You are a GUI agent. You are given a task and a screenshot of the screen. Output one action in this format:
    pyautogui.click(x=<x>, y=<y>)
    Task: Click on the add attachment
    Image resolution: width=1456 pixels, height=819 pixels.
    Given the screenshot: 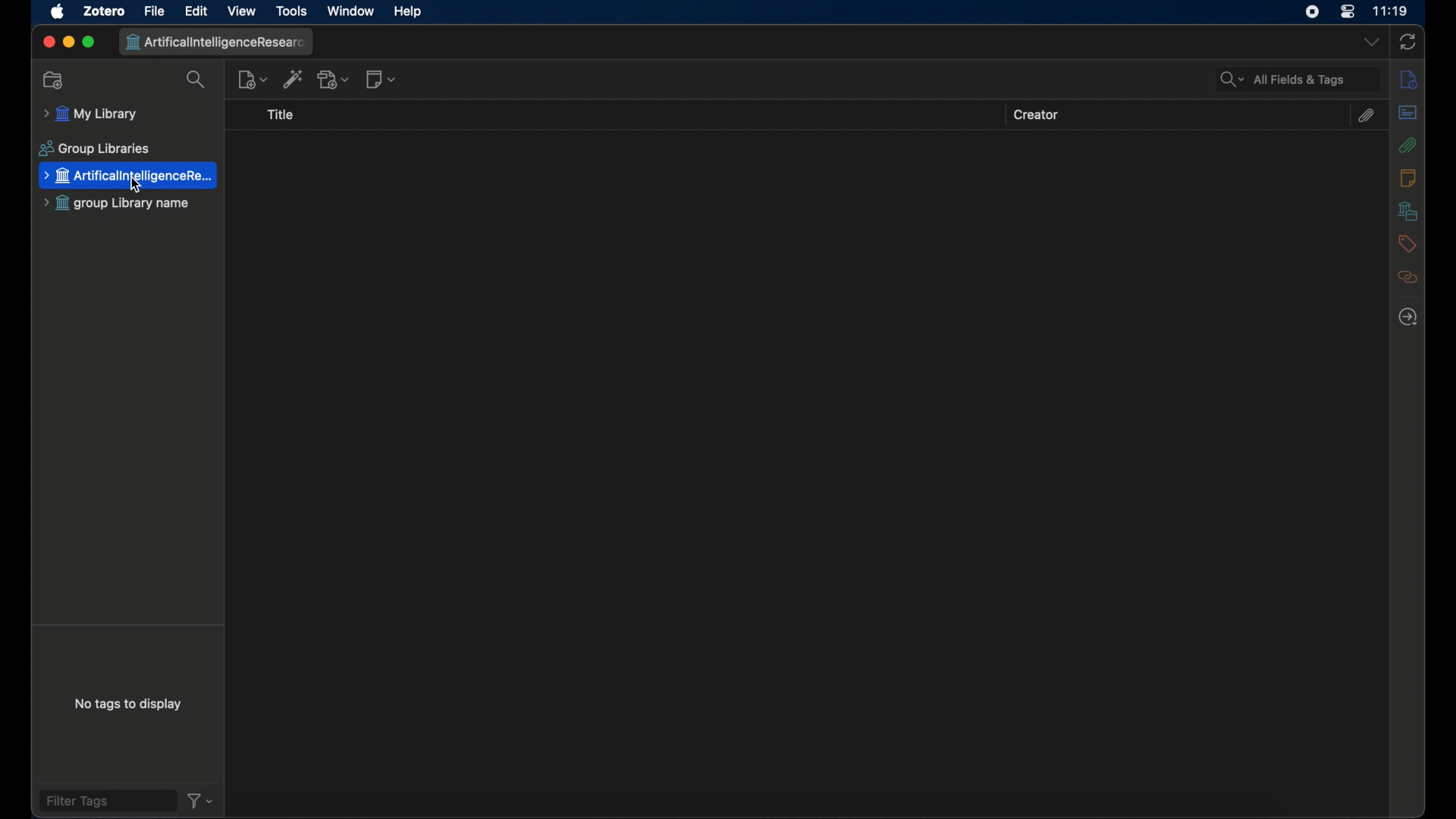 What is the action you would take?
    pyautogui.click(x=334, y=80)
    